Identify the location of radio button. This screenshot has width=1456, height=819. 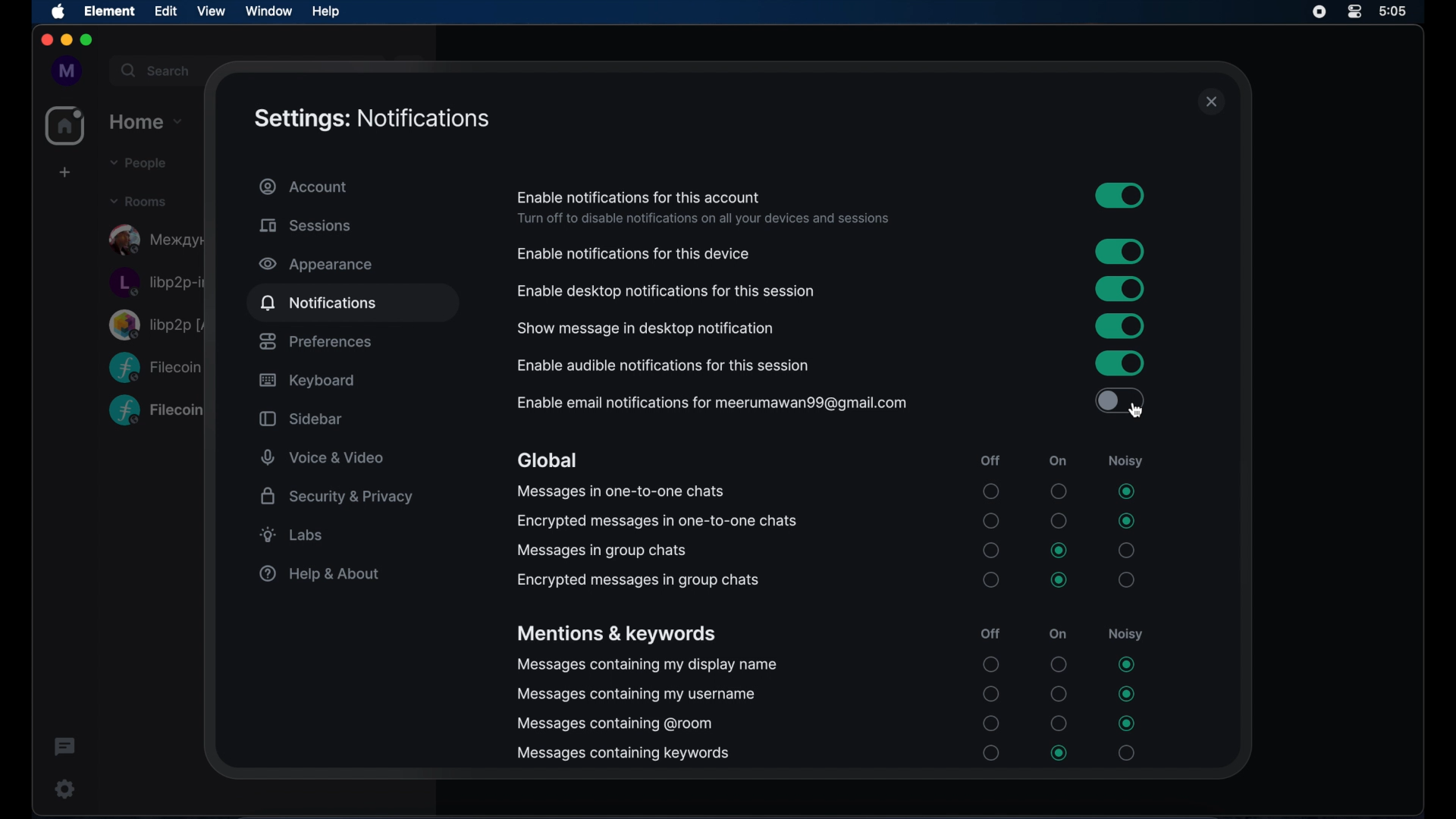
(1060, 753).